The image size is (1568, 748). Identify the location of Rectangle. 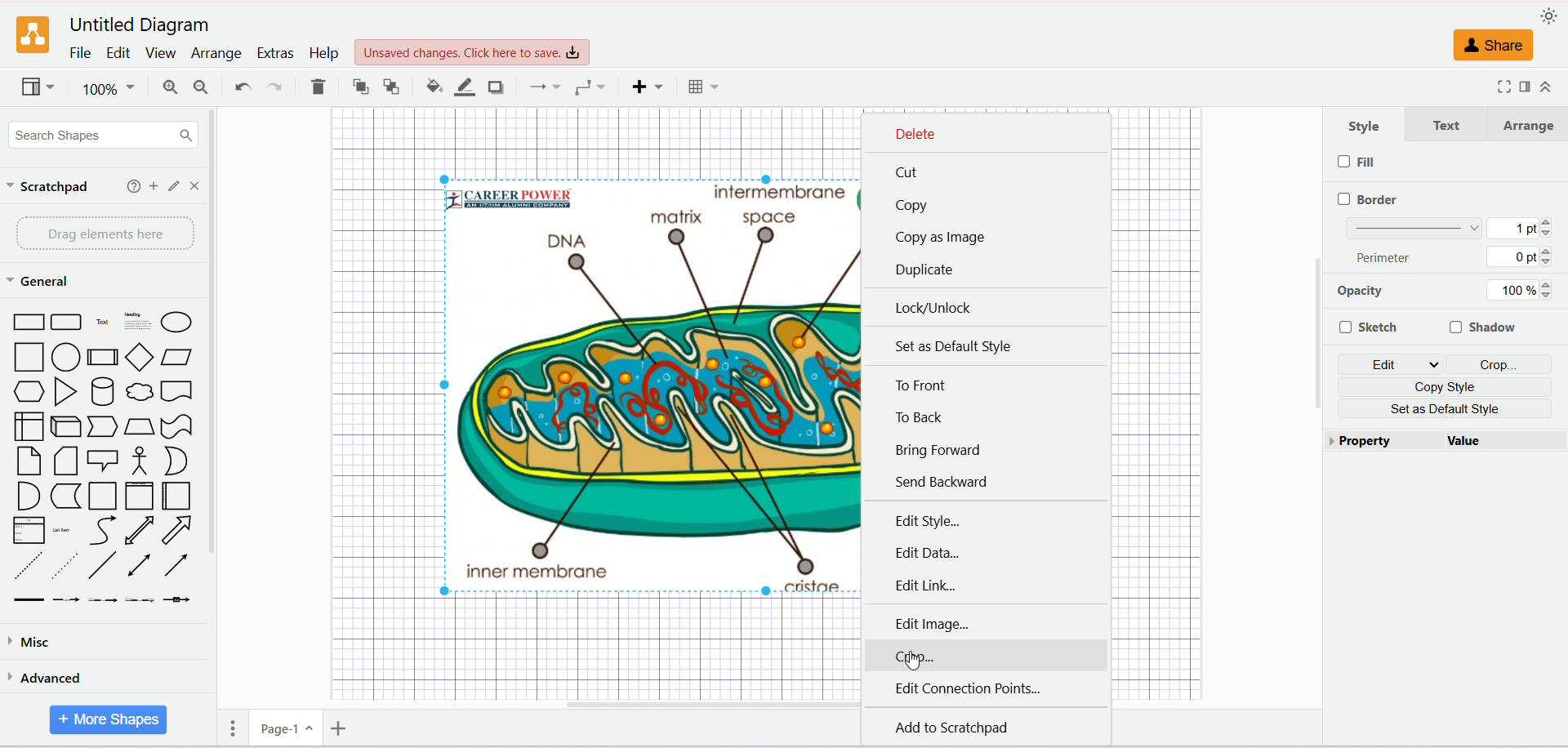
(30, 321).